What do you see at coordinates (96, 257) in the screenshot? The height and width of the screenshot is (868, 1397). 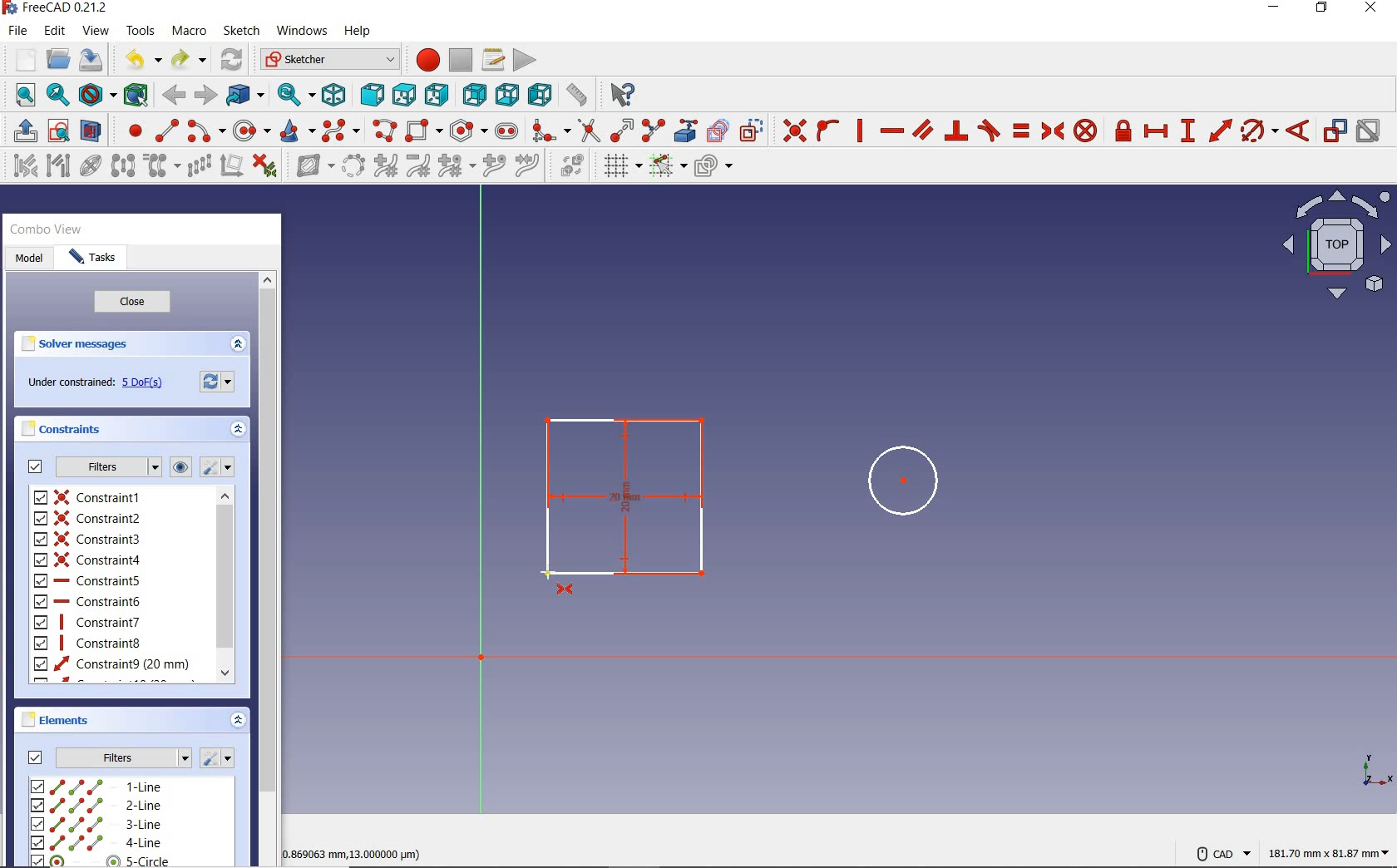 I see `tasks` at bounding box center [96, 257].